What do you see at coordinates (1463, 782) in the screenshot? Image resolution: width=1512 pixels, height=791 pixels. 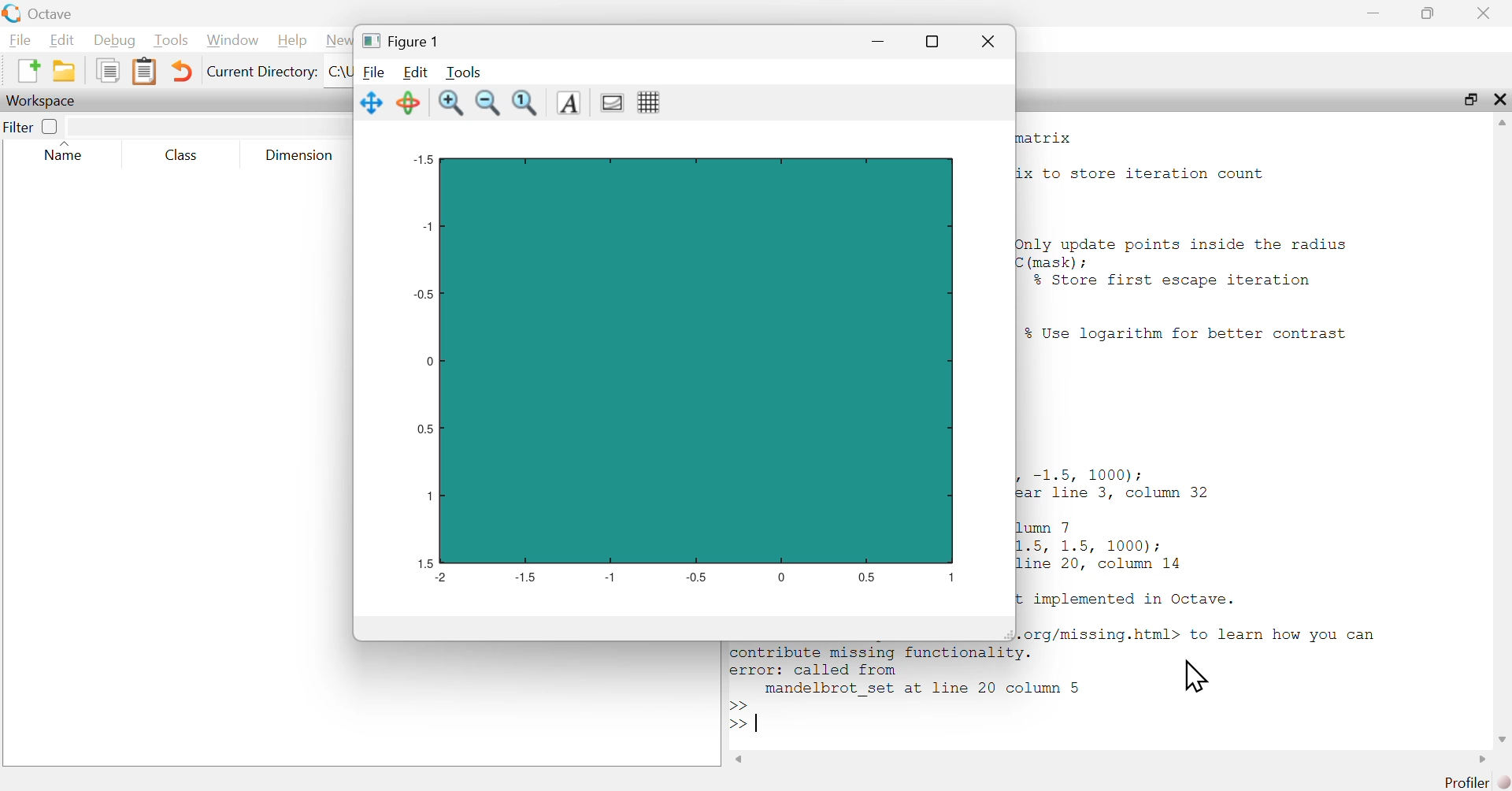 I see `Profiler` at bounding box center [1463, 782].